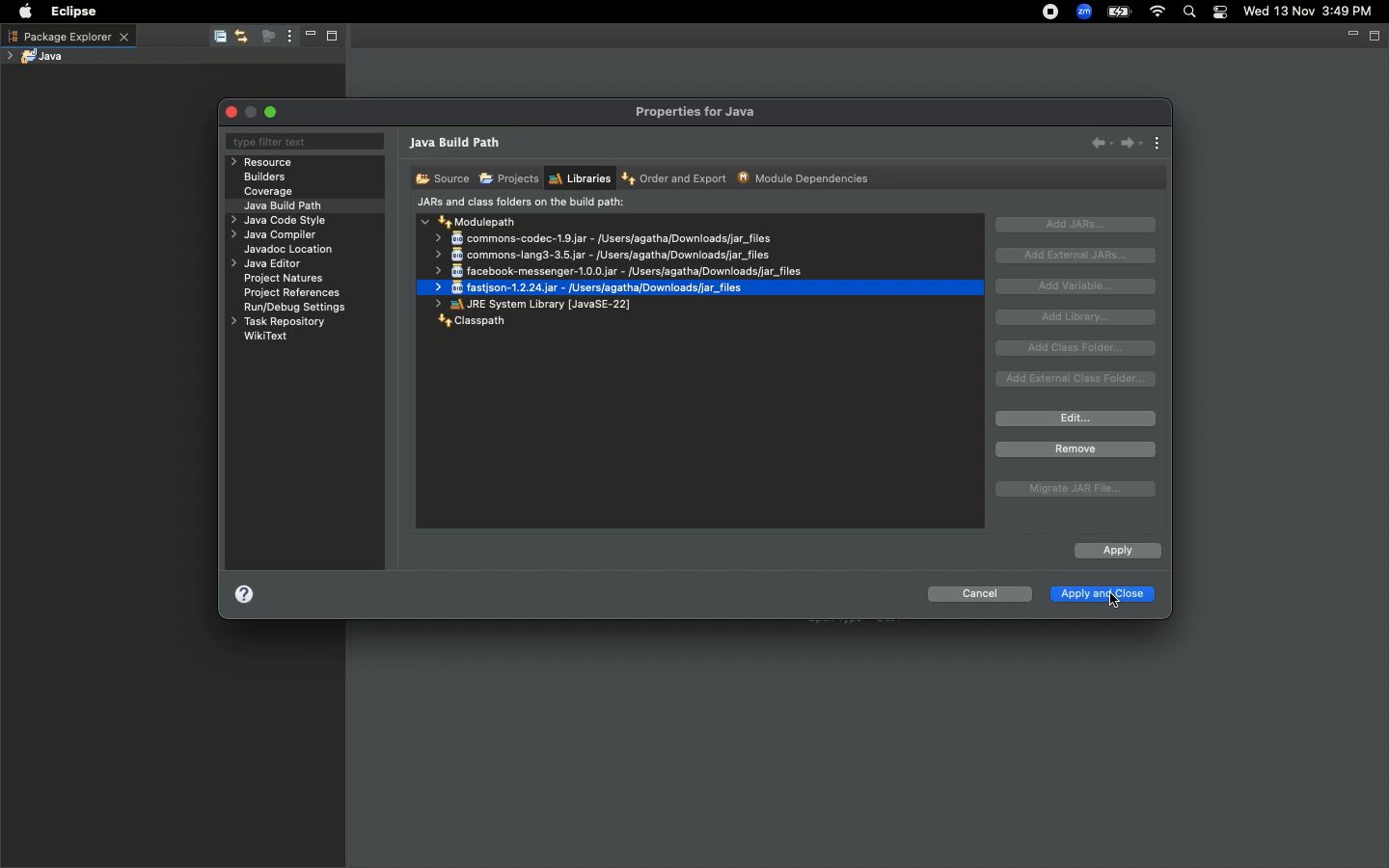 The height and width of the screenshot is (868, 1389). What do you see at coordinates (287, 281) in the screenshot?
I see `Project natures` at bounding box center [287, 281].